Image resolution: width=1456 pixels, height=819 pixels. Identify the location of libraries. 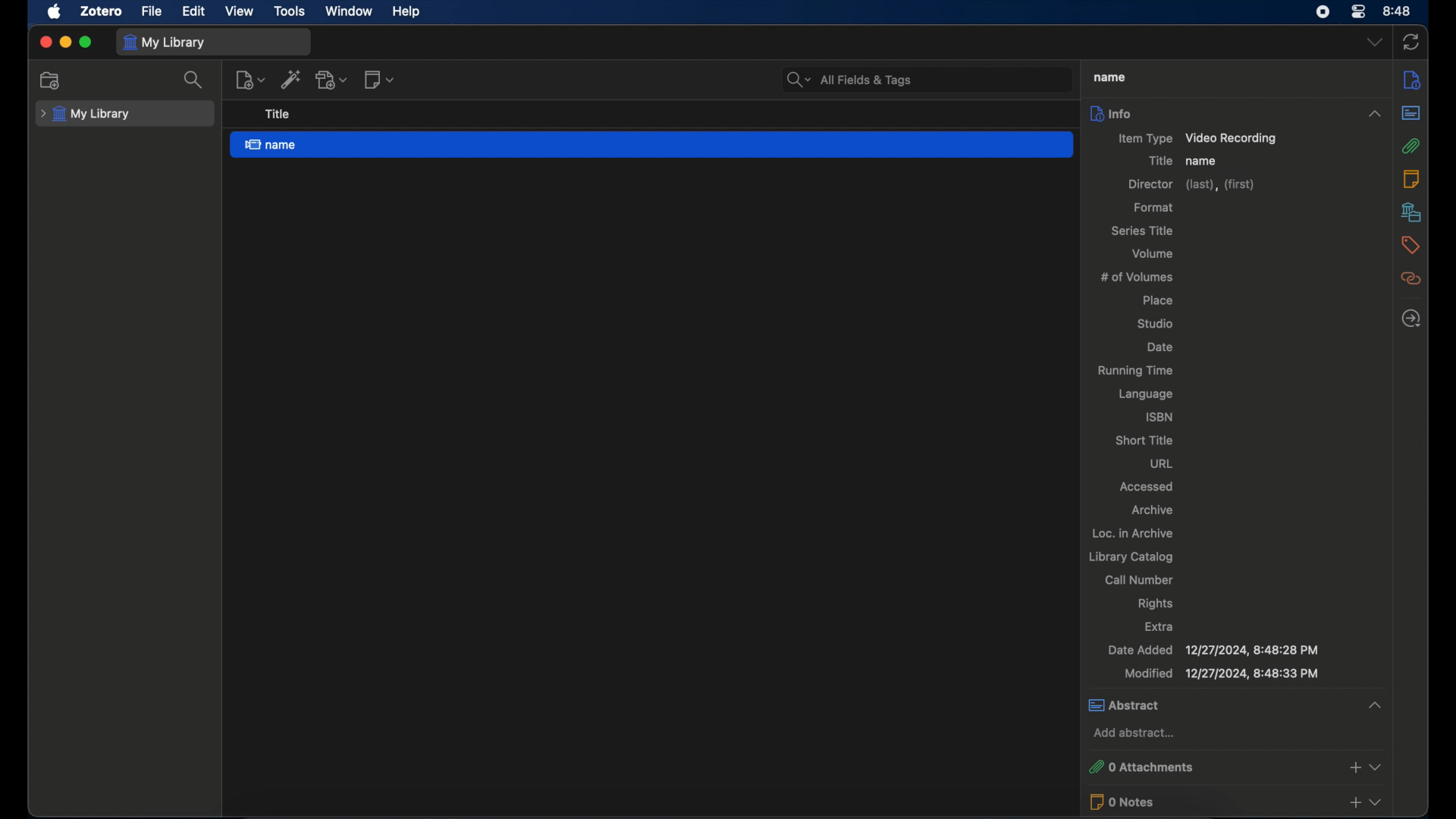
(1411, 212).